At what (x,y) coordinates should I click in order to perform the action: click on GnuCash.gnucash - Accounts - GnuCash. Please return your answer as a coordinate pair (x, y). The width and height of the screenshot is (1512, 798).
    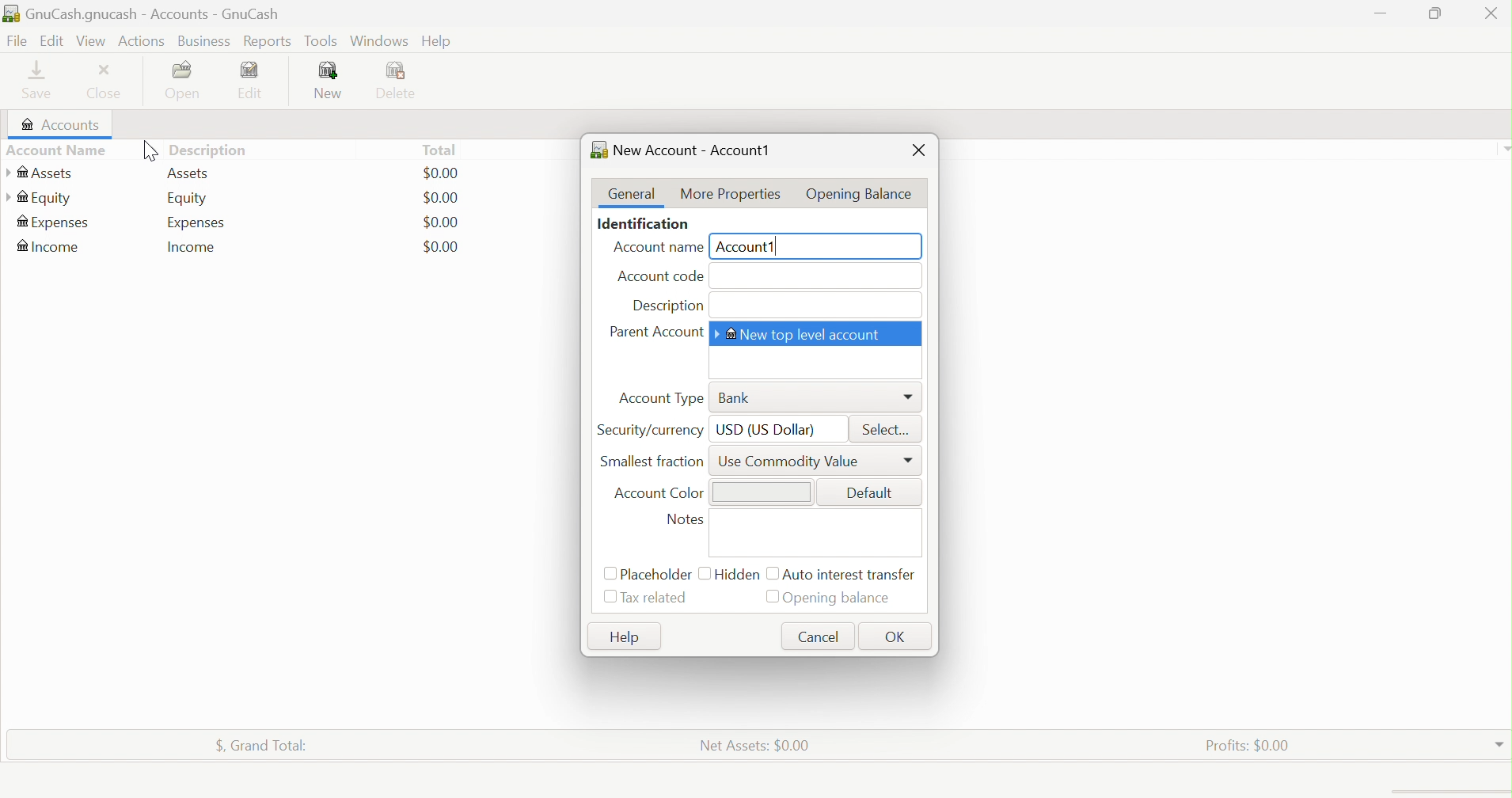
    Looking at the image, I should click on (152, 15).